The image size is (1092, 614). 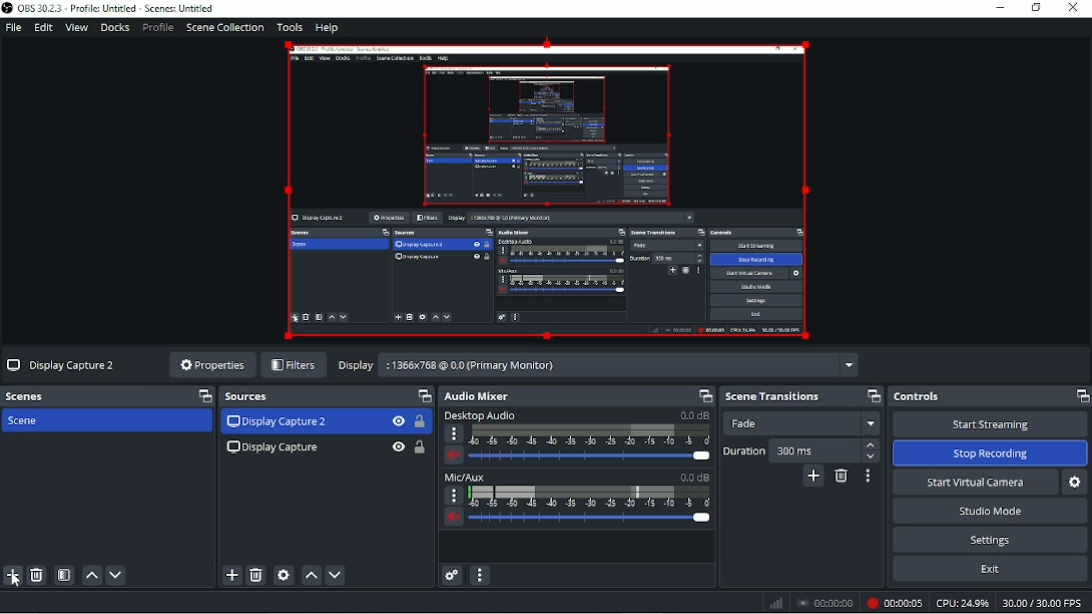 What do you see at coordinates (311, 576) in the screenshot?
I see `Move source(s) up` at bounding box center [311, 576].